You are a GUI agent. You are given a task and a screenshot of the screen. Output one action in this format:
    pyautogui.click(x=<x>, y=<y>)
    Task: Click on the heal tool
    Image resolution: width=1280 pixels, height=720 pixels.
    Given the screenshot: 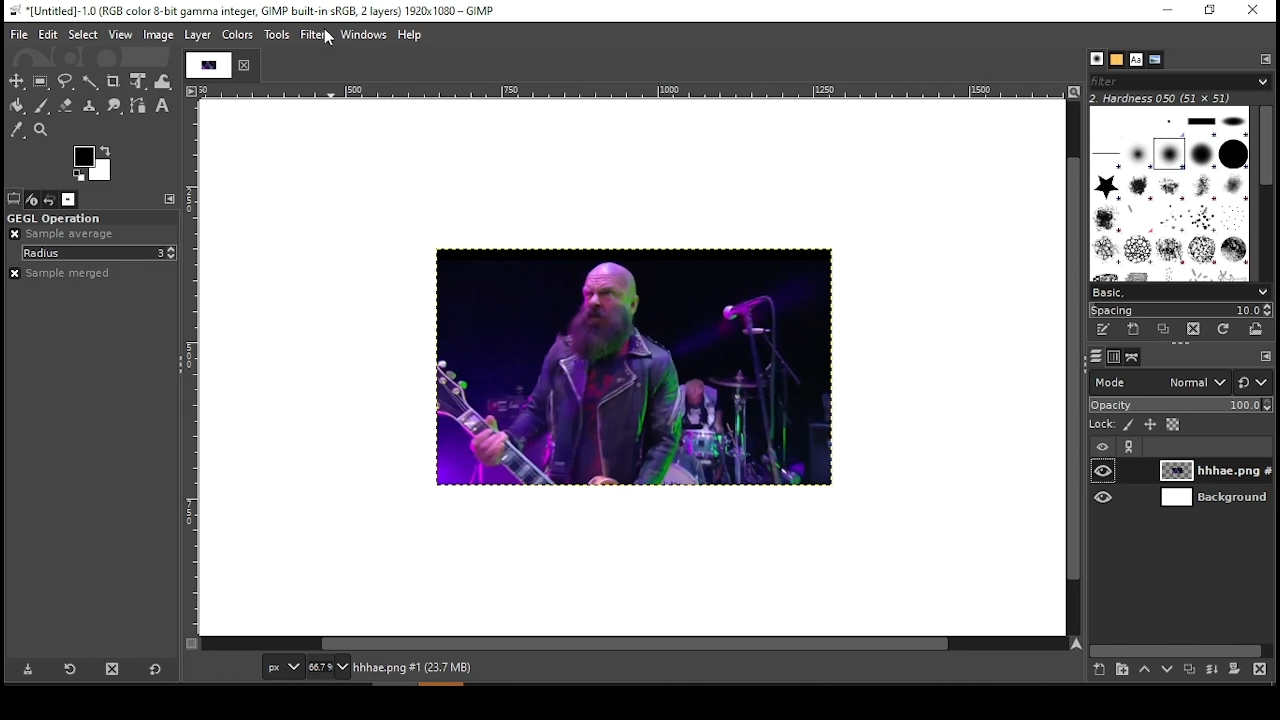 What is the action you would take?
    pyautogui.click(x=87, y=107)
    